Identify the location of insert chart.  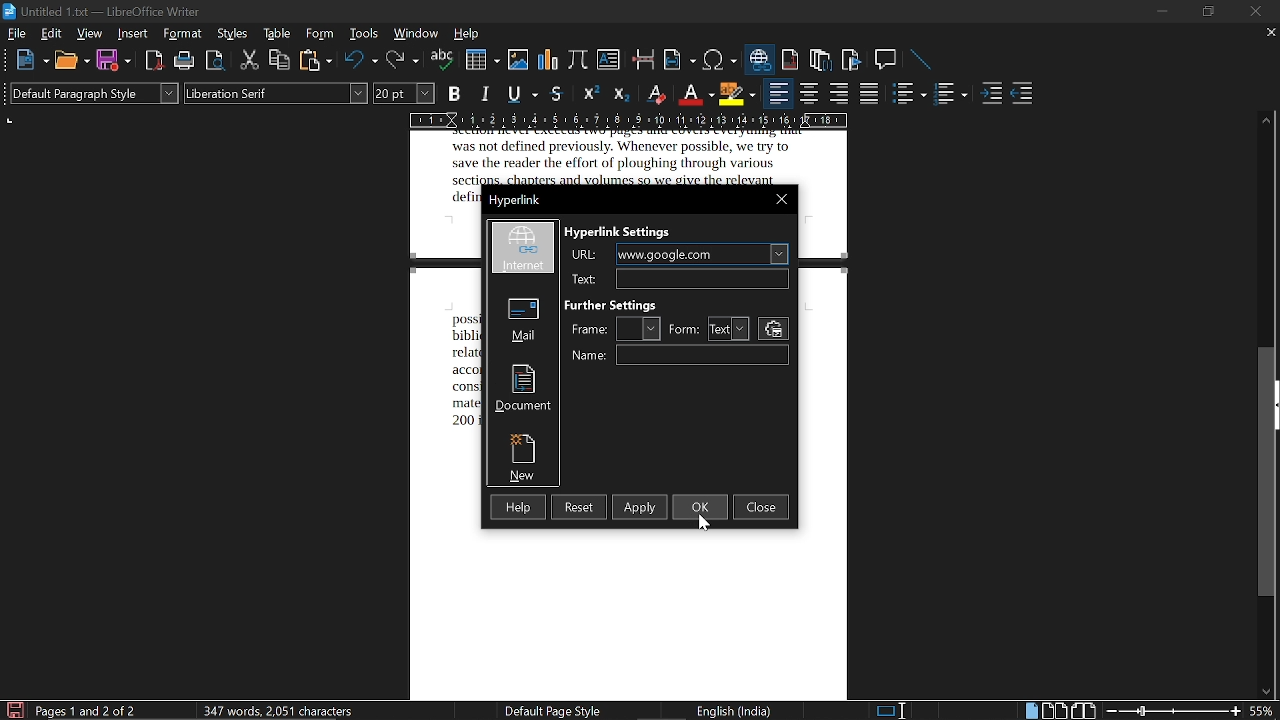
(549, 62).